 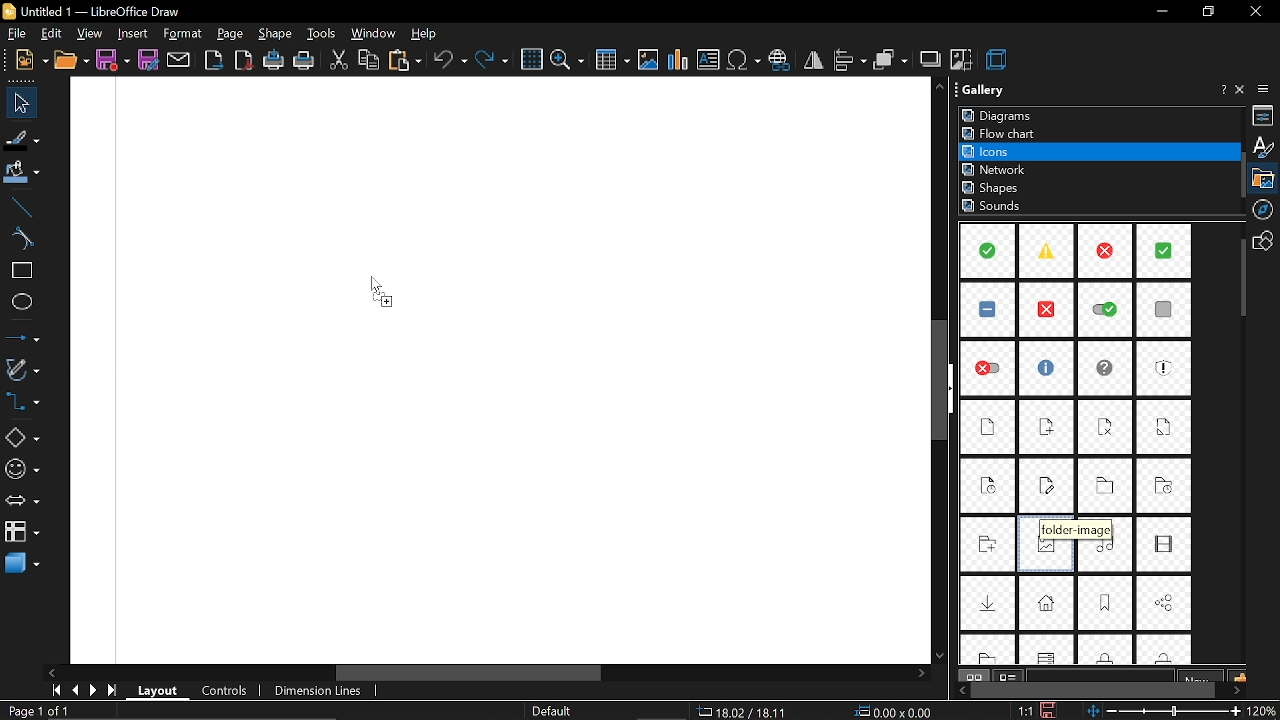 What do you see at coordinates (322, 34) in the screenshot?
I see `tools` at bounding box center [322, 34].